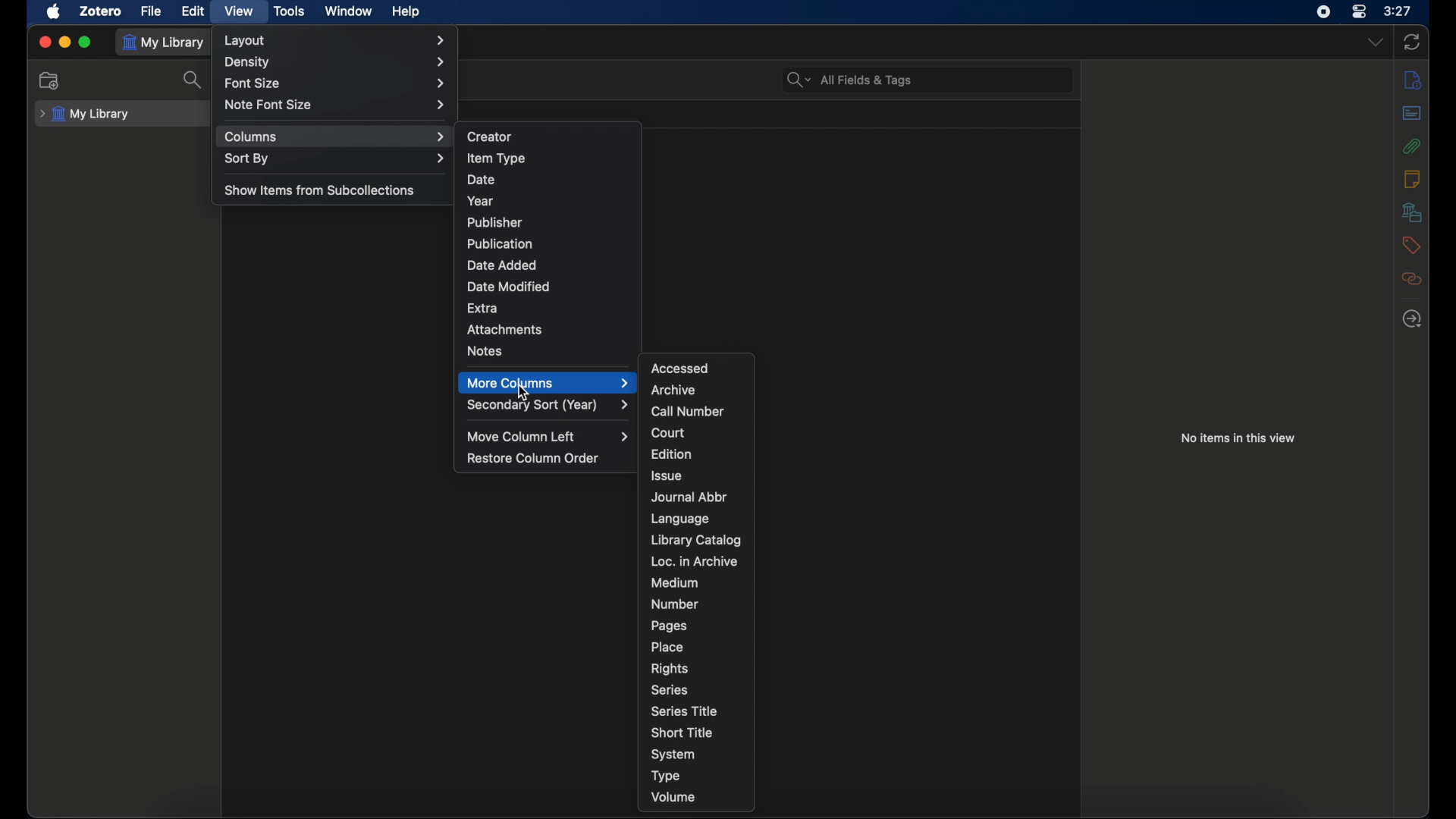 This screenshot has height=819, width=1456. I want to click on series, so click(669, 690).